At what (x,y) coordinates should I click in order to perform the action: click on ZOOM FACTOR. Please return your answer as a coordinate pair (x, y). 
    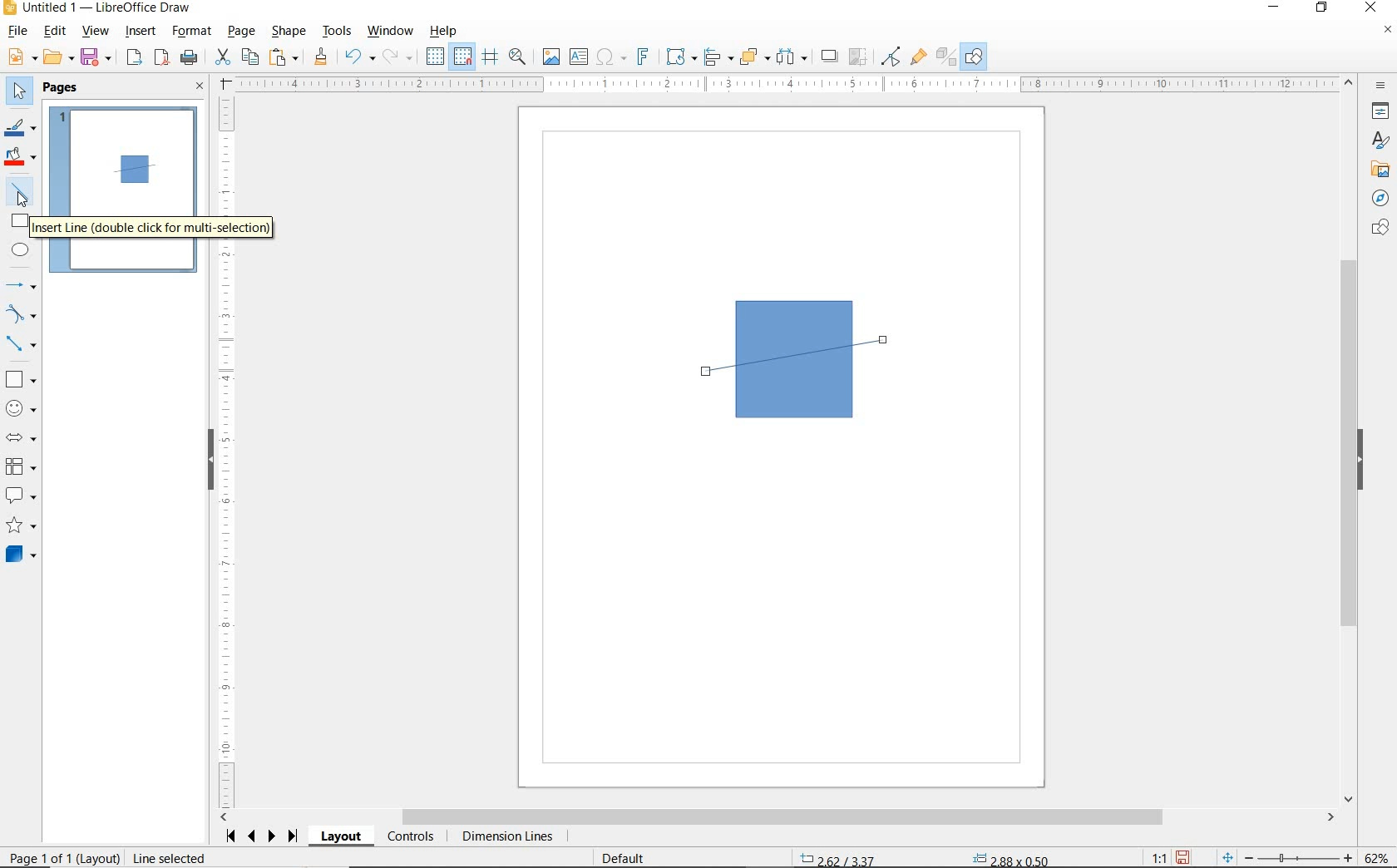
    Looking at the image, I should click on (1375, 858).